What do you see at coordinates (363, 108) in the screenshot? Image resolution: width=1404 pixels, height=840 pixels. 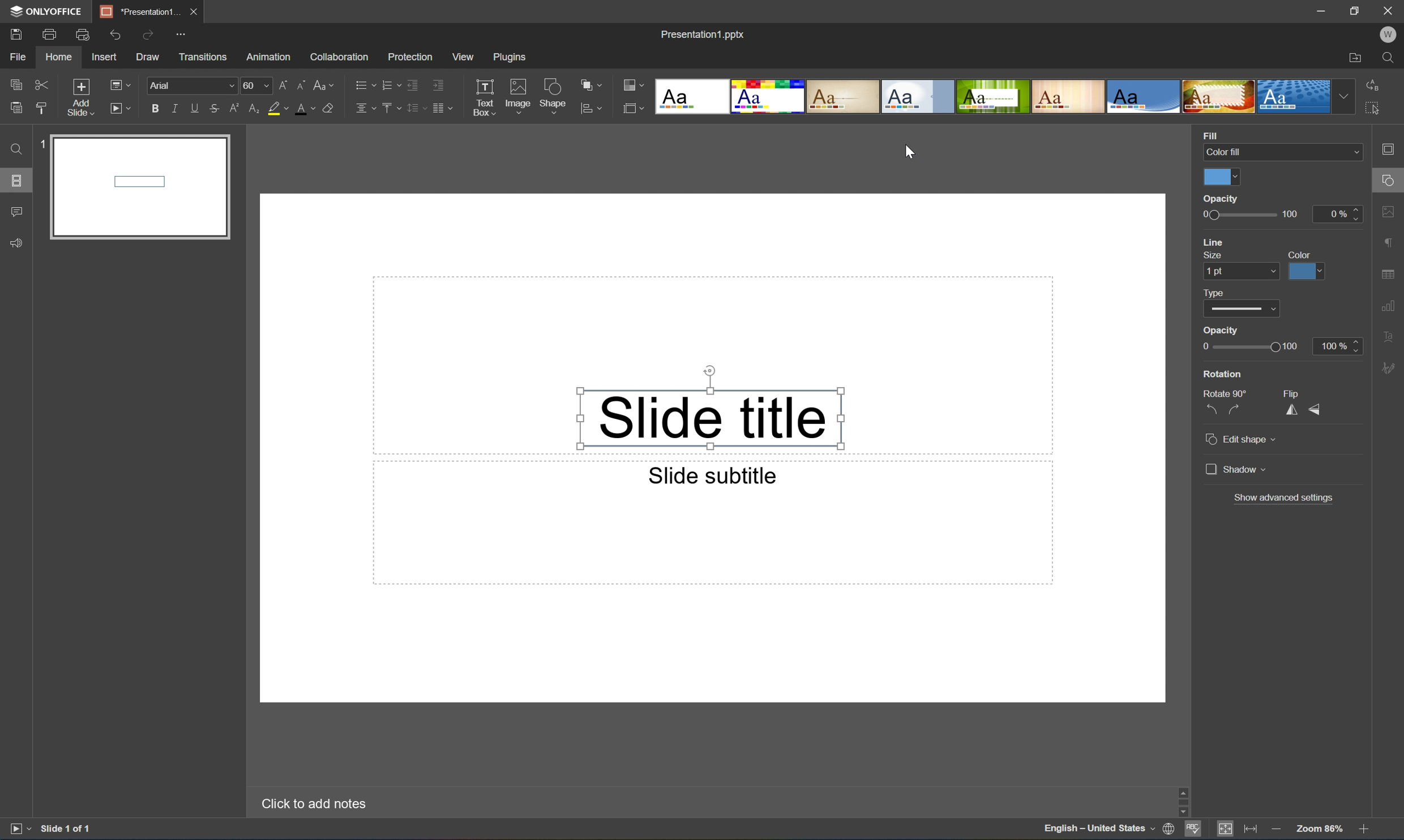 I see `Horizontally align` at bounding box center [363, 108].